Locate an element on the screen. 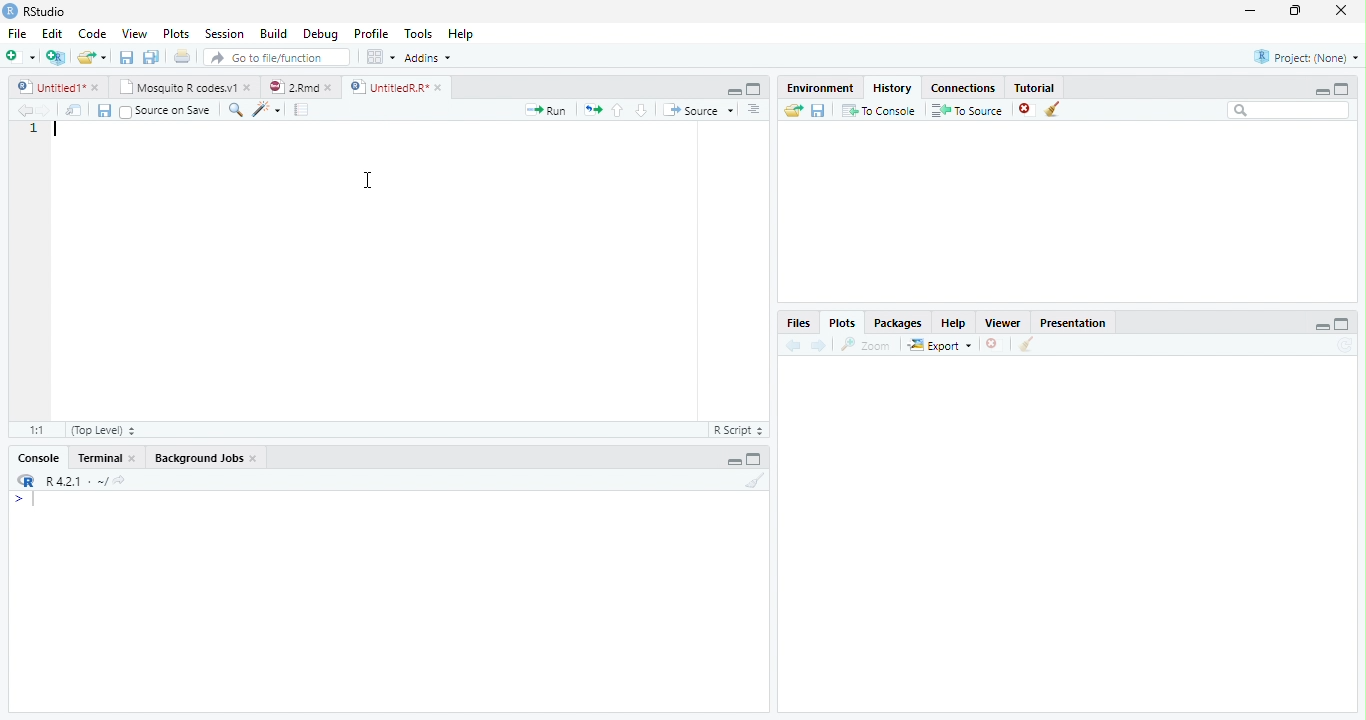  Document outline is located at coordinates (754, 111).